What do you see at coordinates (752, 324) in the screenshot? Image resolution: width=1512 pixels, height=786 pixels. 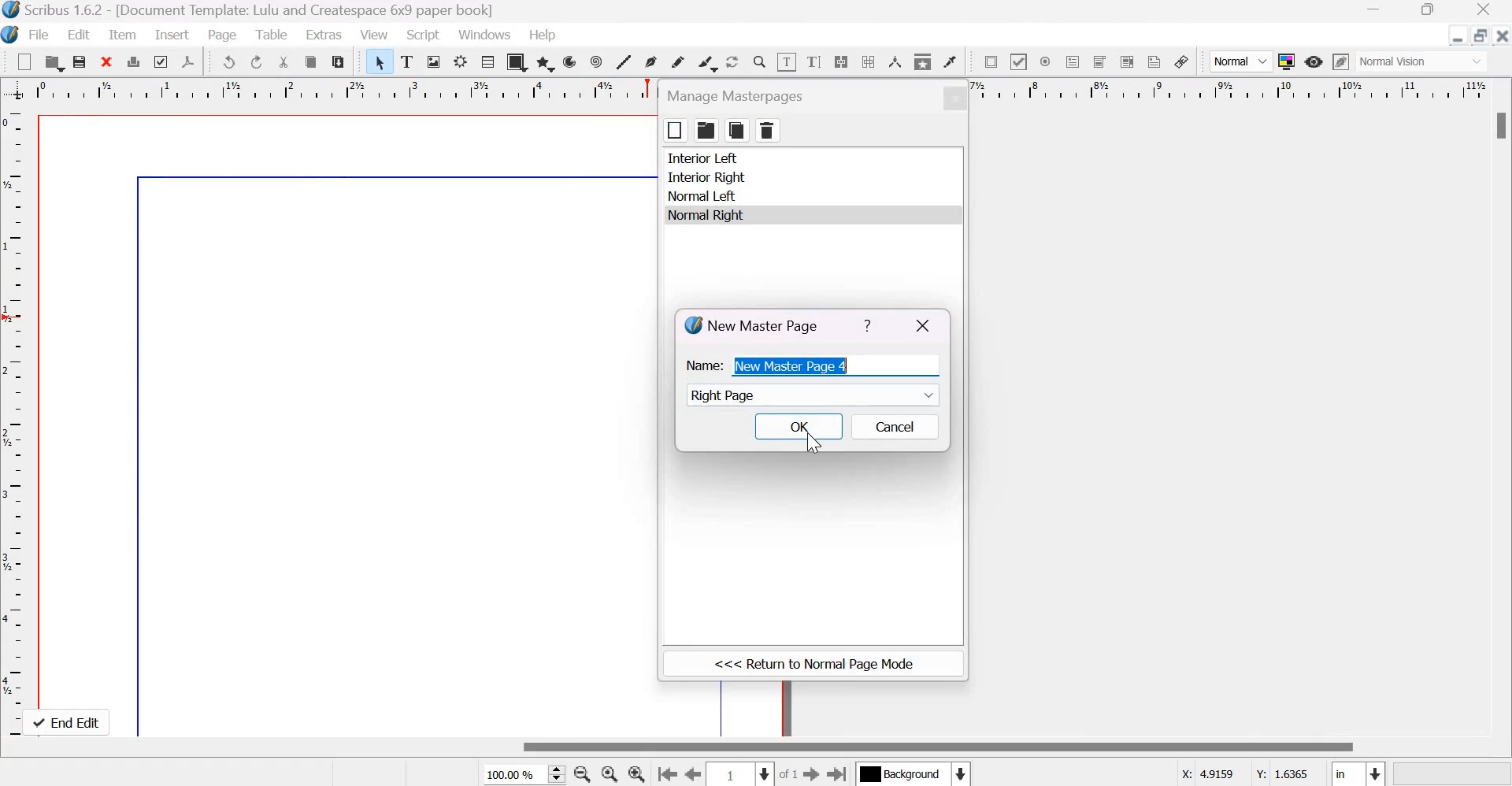 I see `New Master Page` at bounding box center [752, 324].